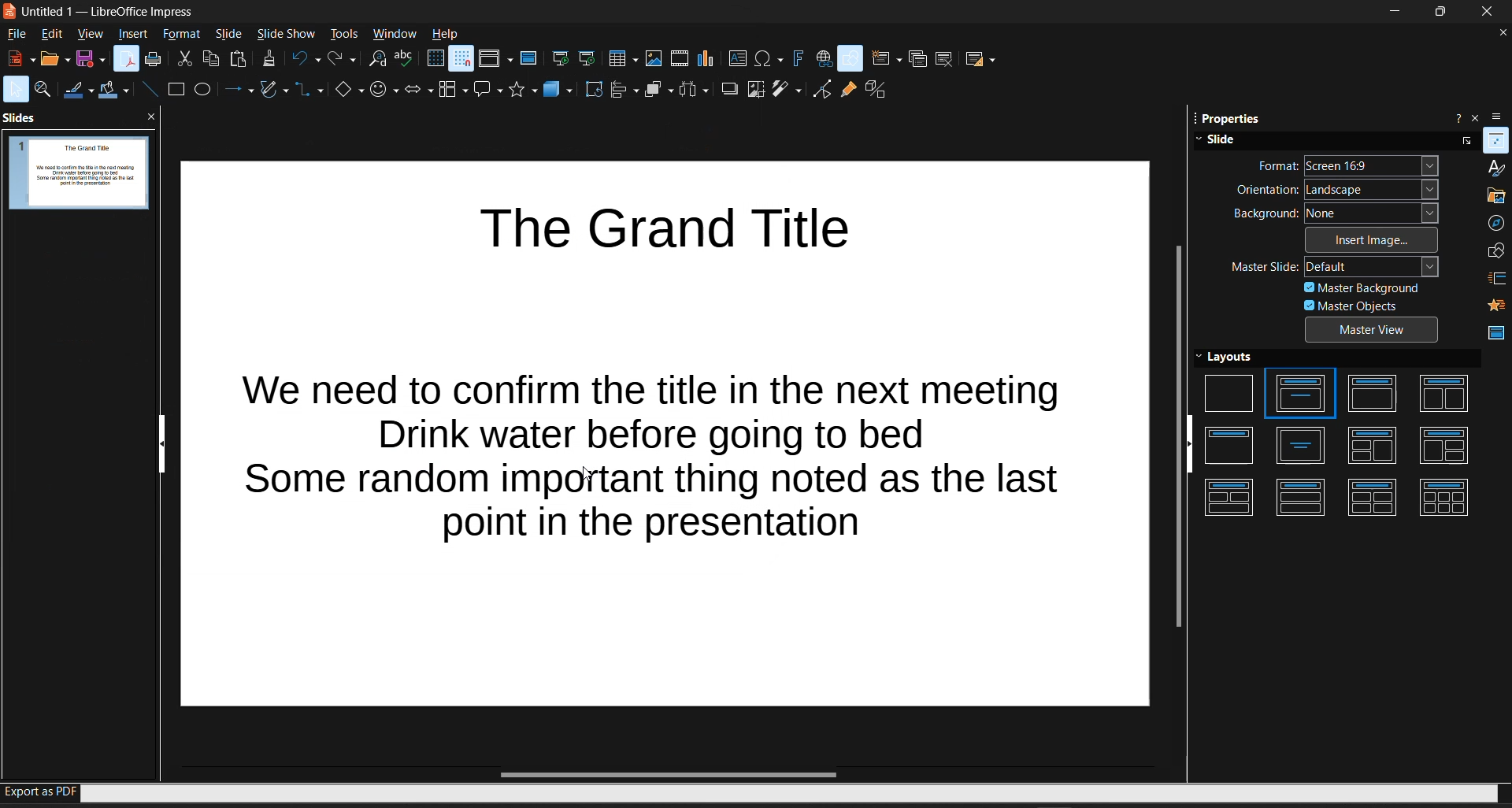  What do you see at coordinates (917, 59) in the screenshot?
I see `duplicate slide` at bounding box center [917, 59].